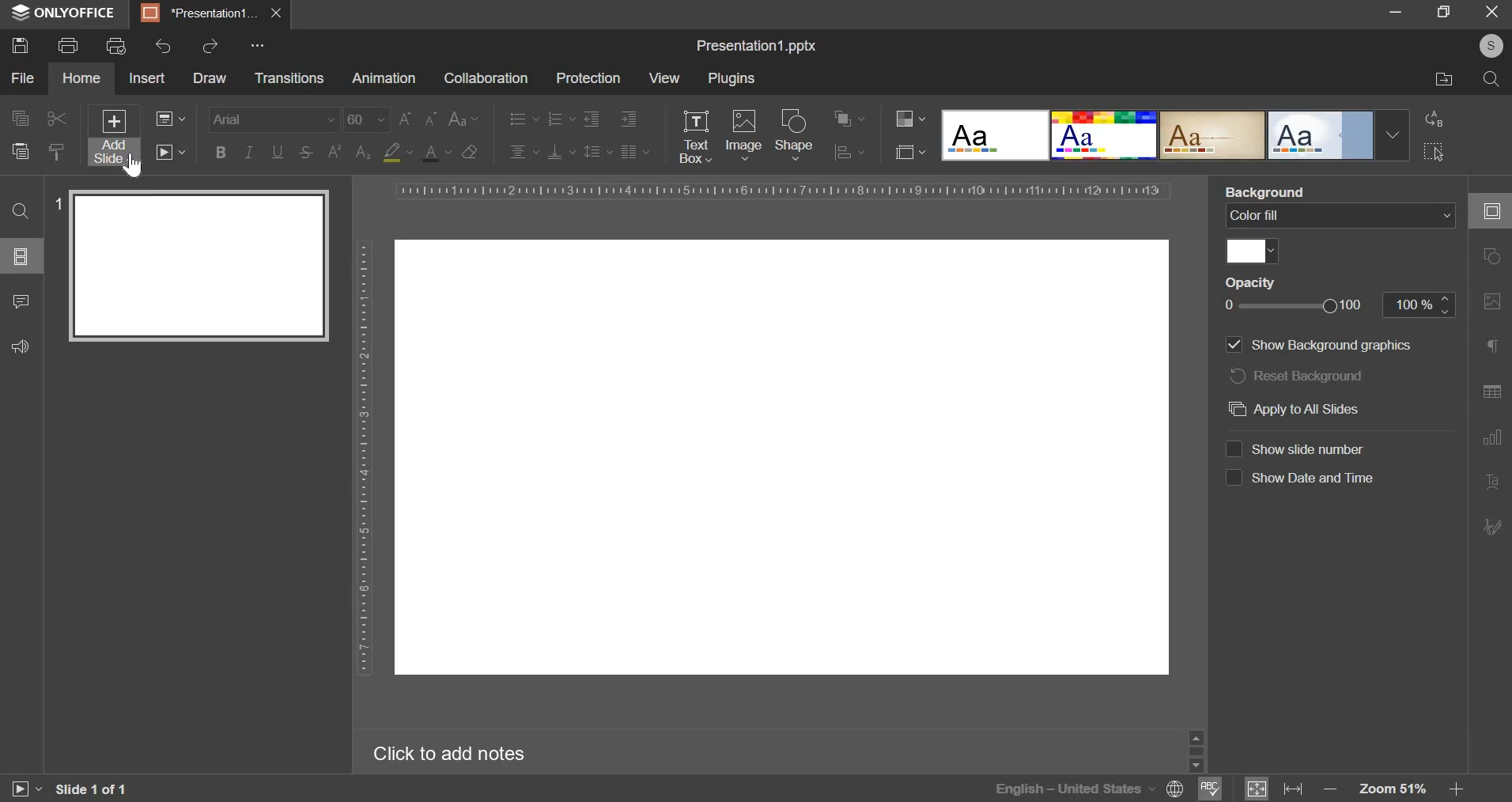 The width and height of the screenshot is (1512, 802). I want to click on slide 1, so click(190, 265).